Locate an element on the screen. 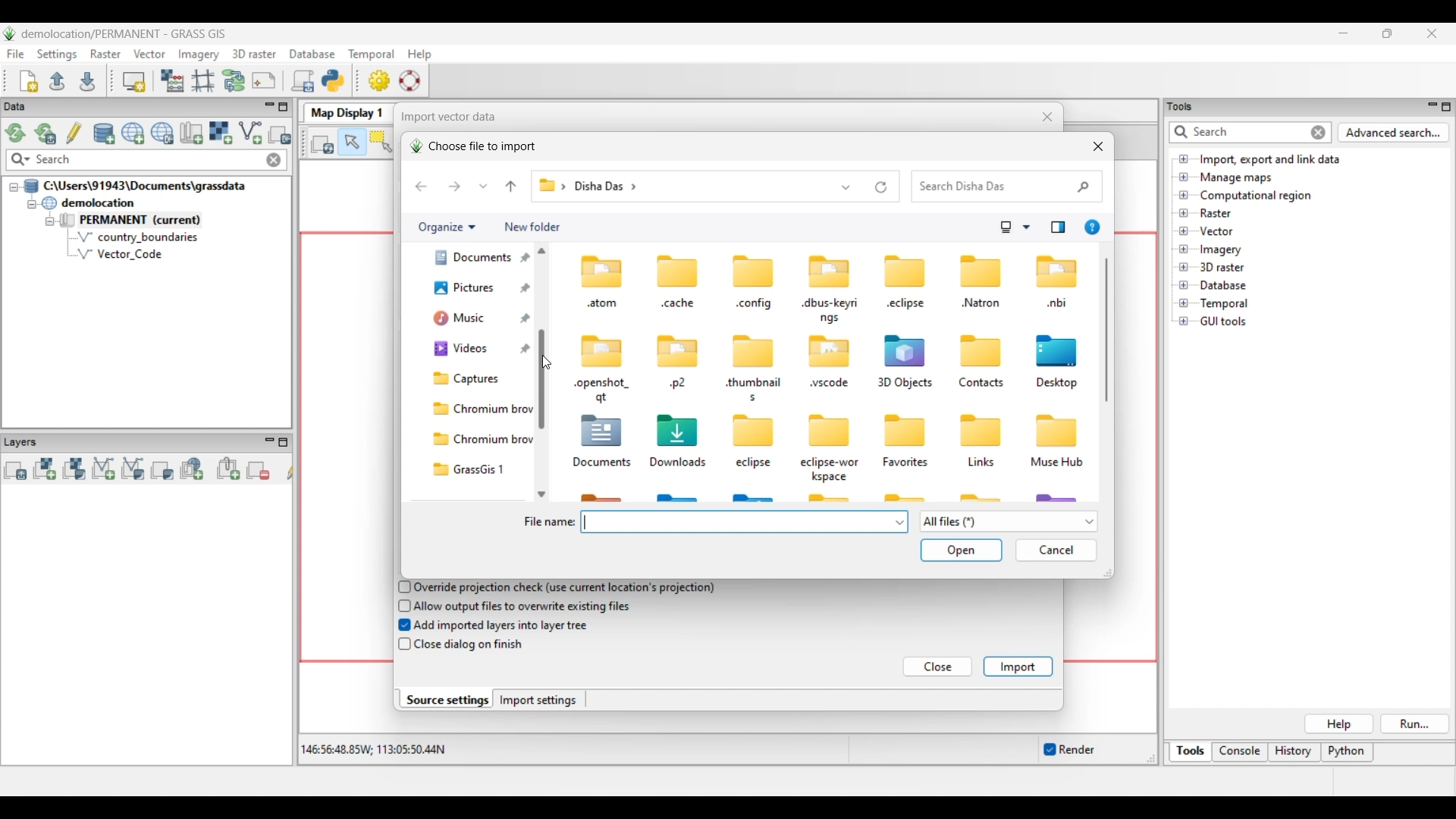  Show list of previous locations is located at coordinates (847, 187).